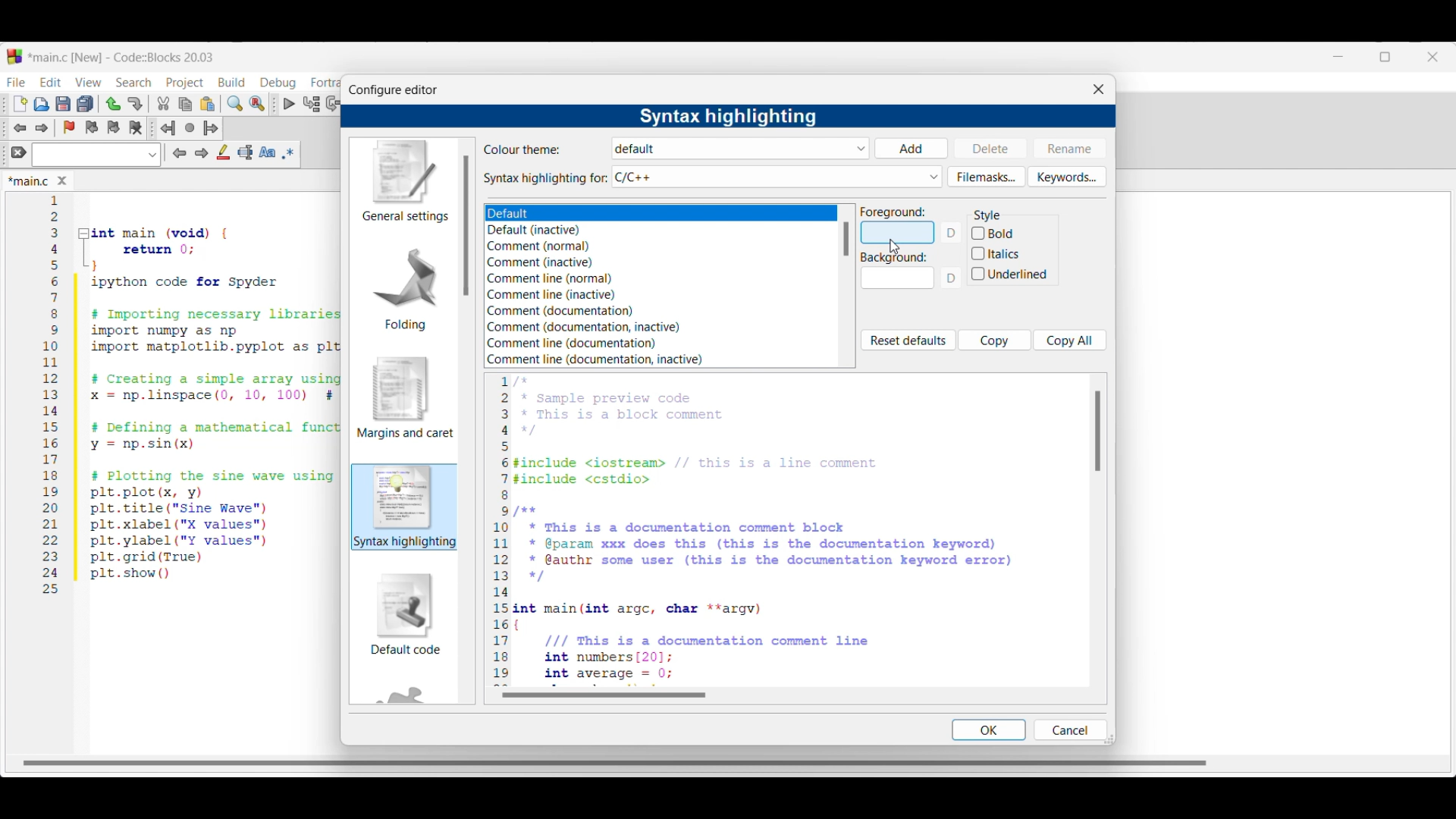  Describe the element at coordinates (20, 104) in the screenshot. I see `New file` at that location.